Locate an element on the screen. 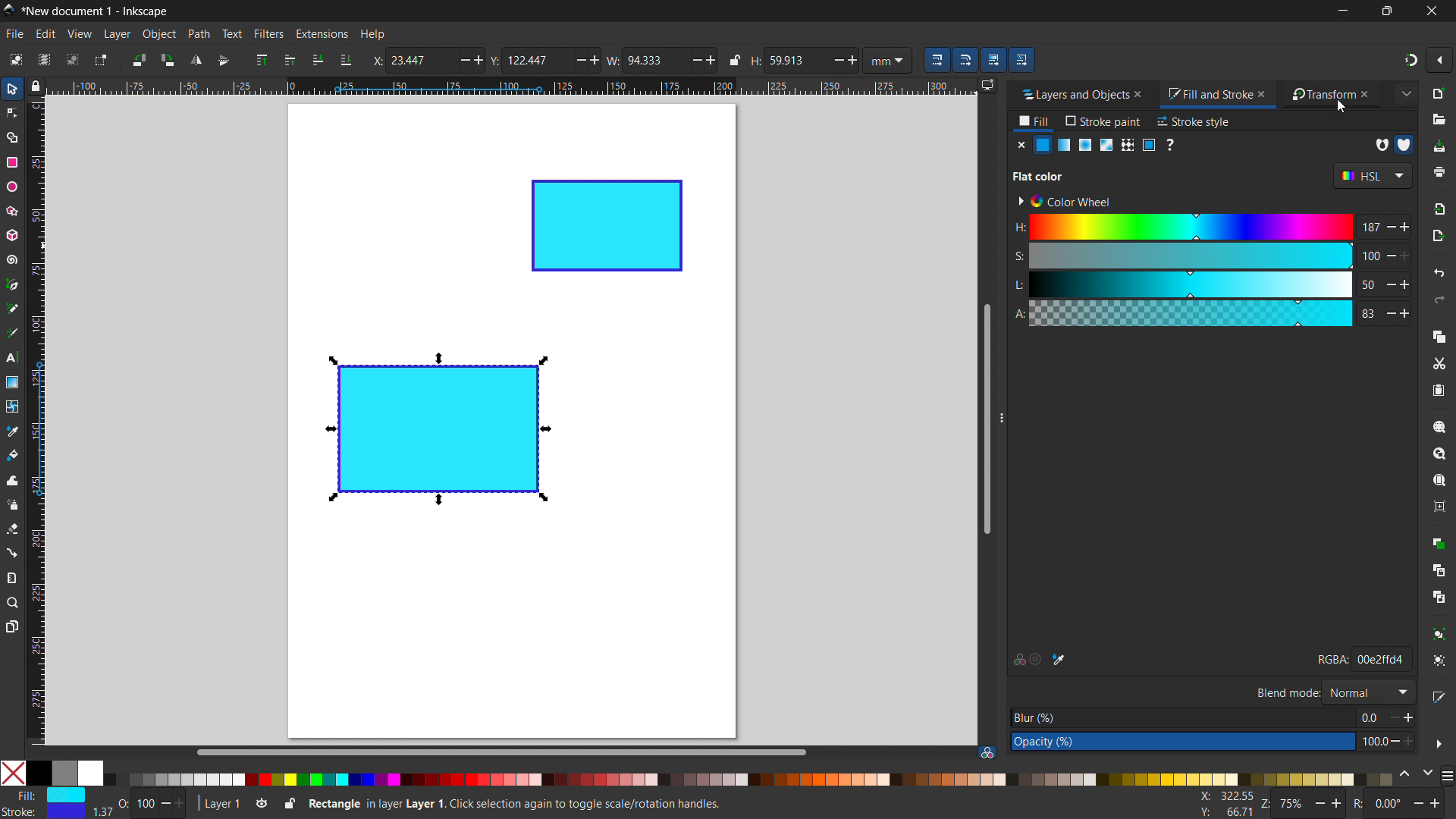 The height and width of the screenshot is (819, 1456). snapping options is located at coordinates (1439, 60).